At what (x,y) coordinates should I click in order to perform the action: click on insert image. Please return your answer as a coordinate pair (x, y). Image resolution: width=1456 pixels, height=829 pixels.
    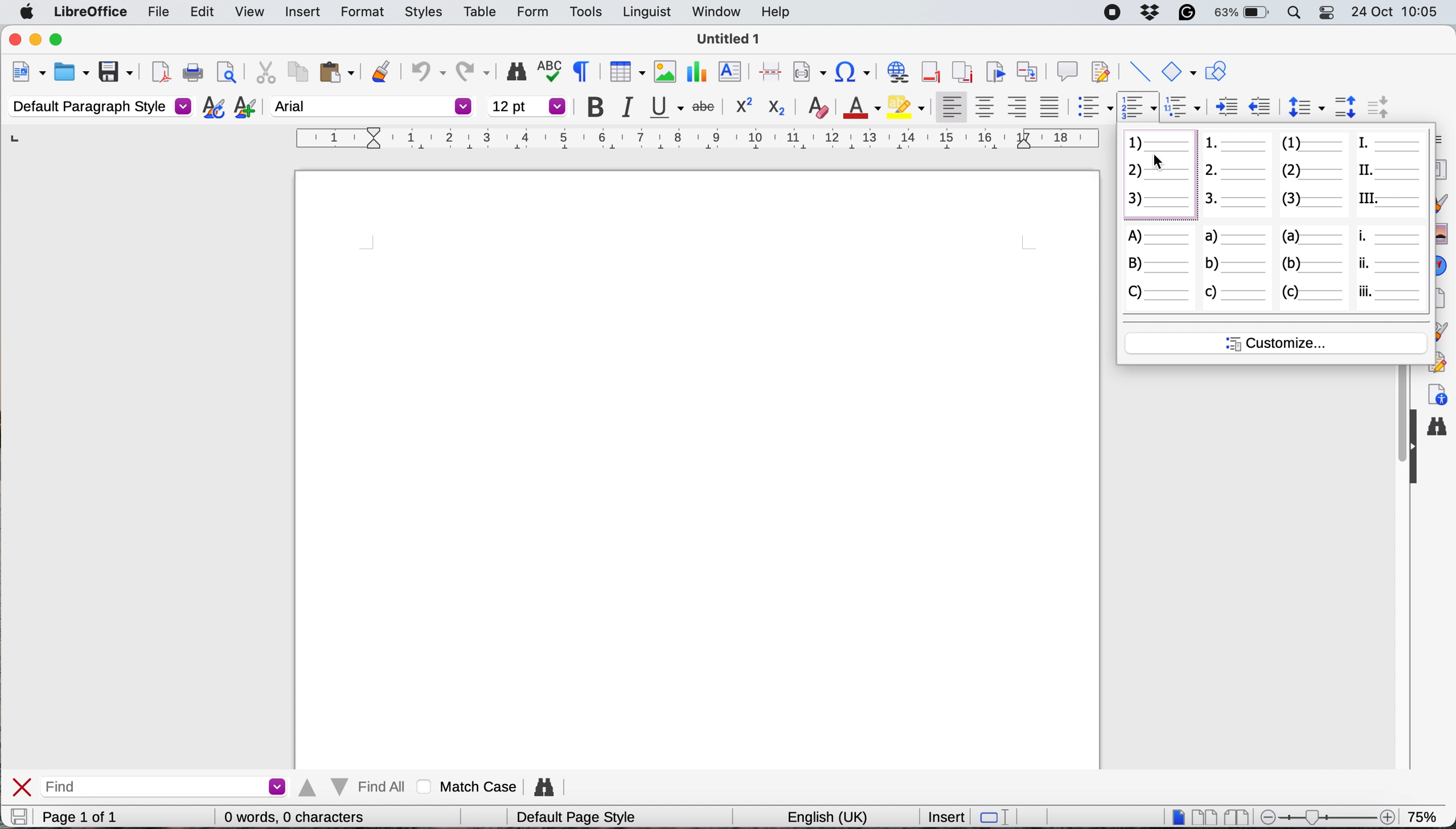
    Looking at the image, I should click on (663, 71).